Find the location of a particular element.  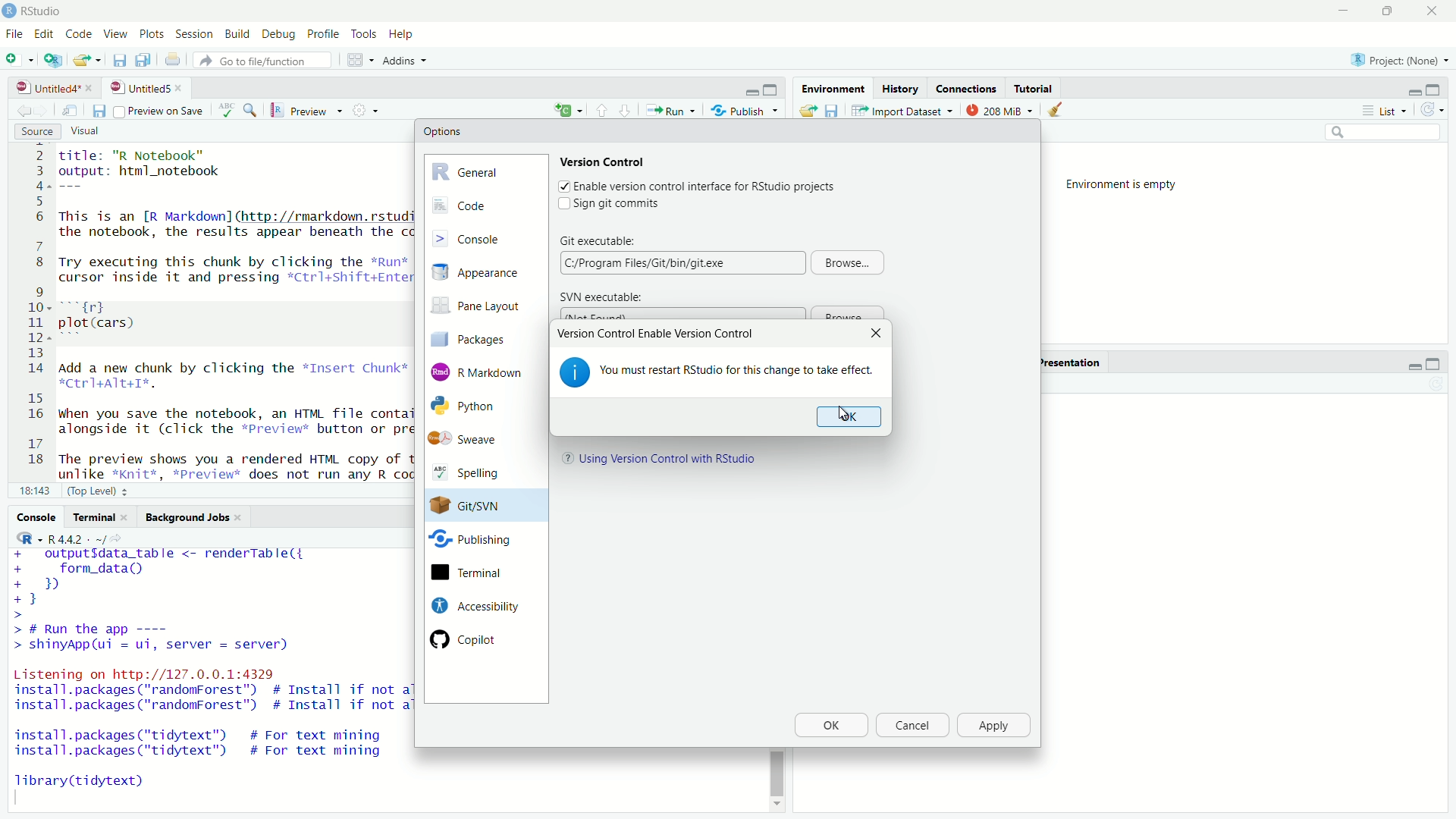

i is located at coordinates (575, 372).